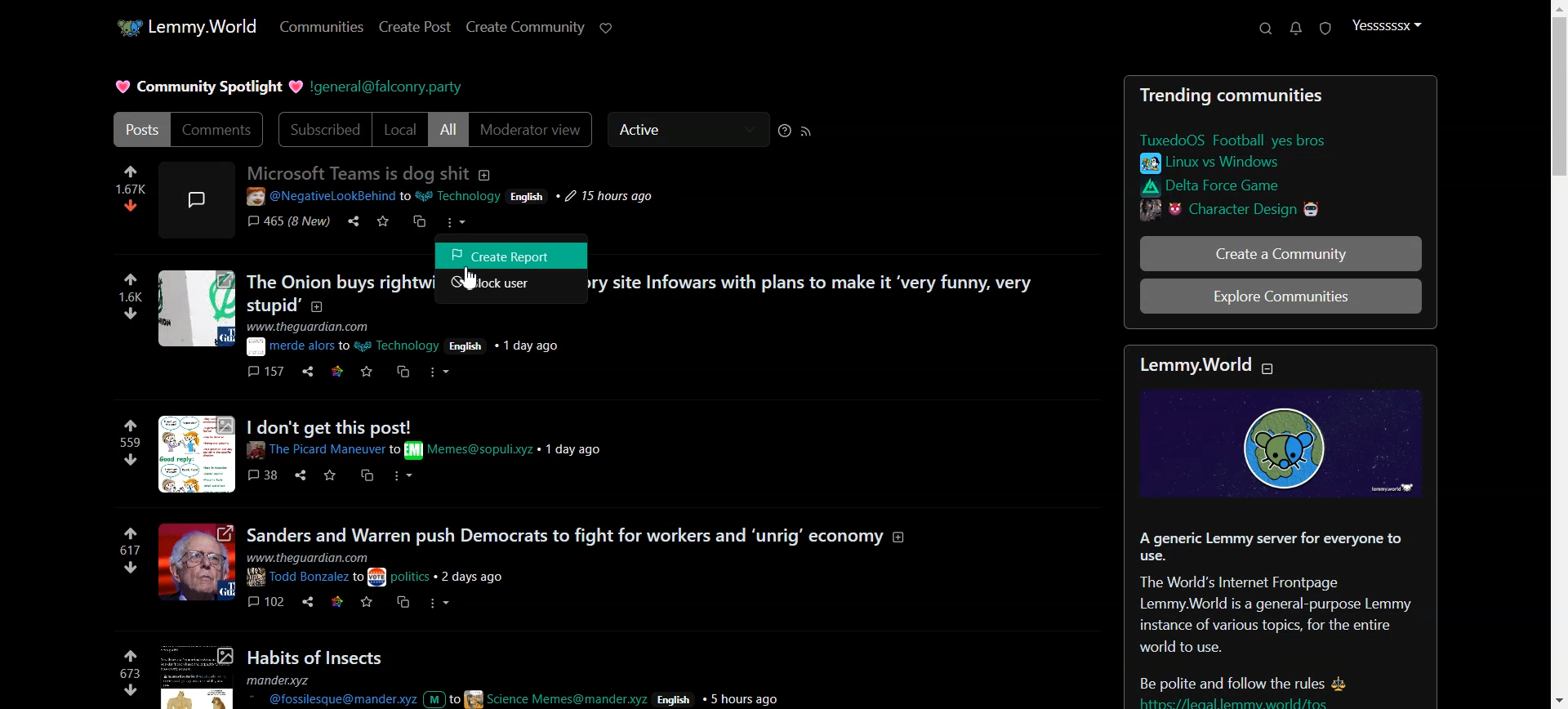 This screenshot has width=1568, height=709. What do you see at coordinates (421, 225) in the screenshot?
I see `cs` at bounding box center [421, 225].